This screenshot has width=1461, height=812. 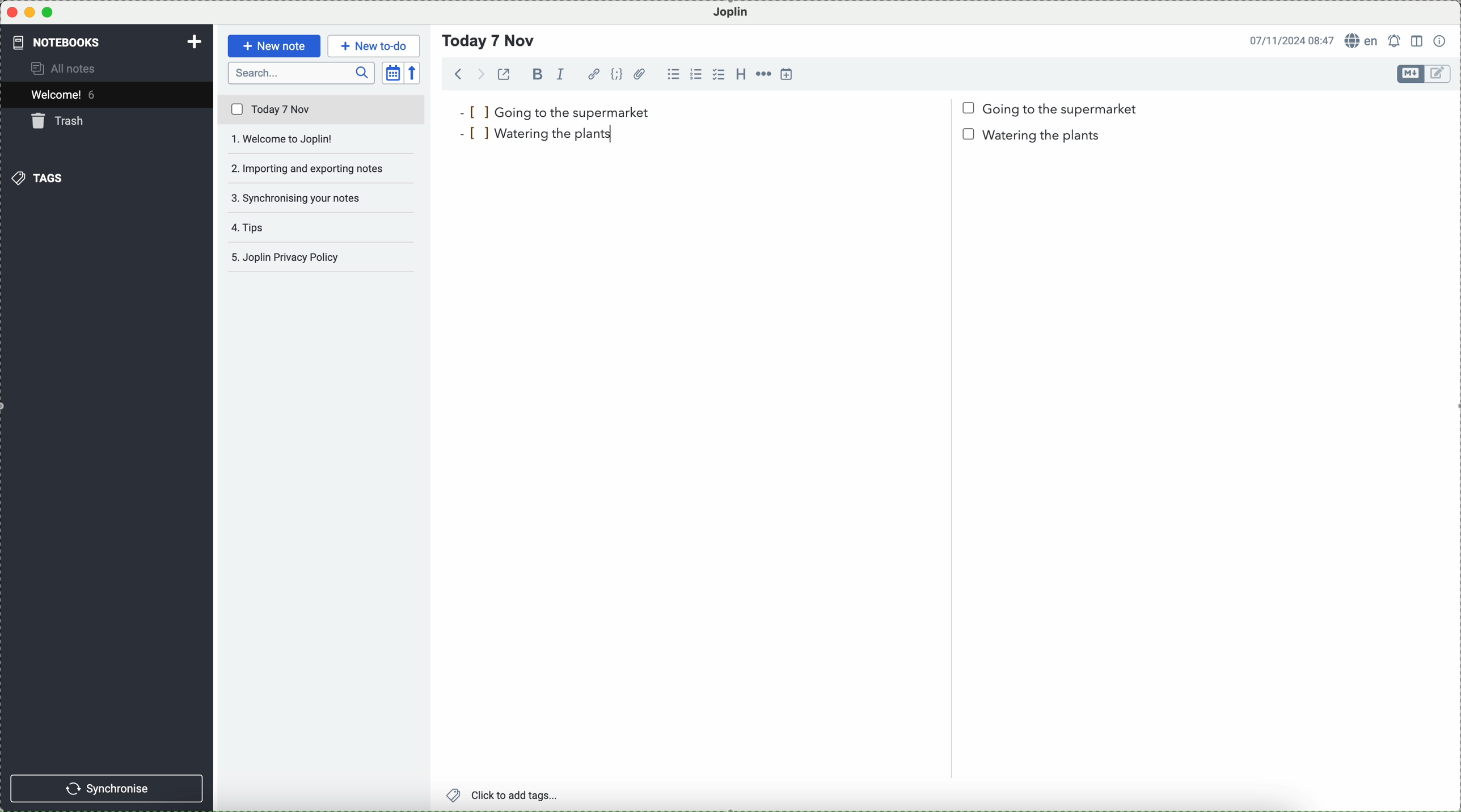 What do you see at coordinates (787, 74) in the screenshot?
I see `insert time` at bounding box center [787, 74].